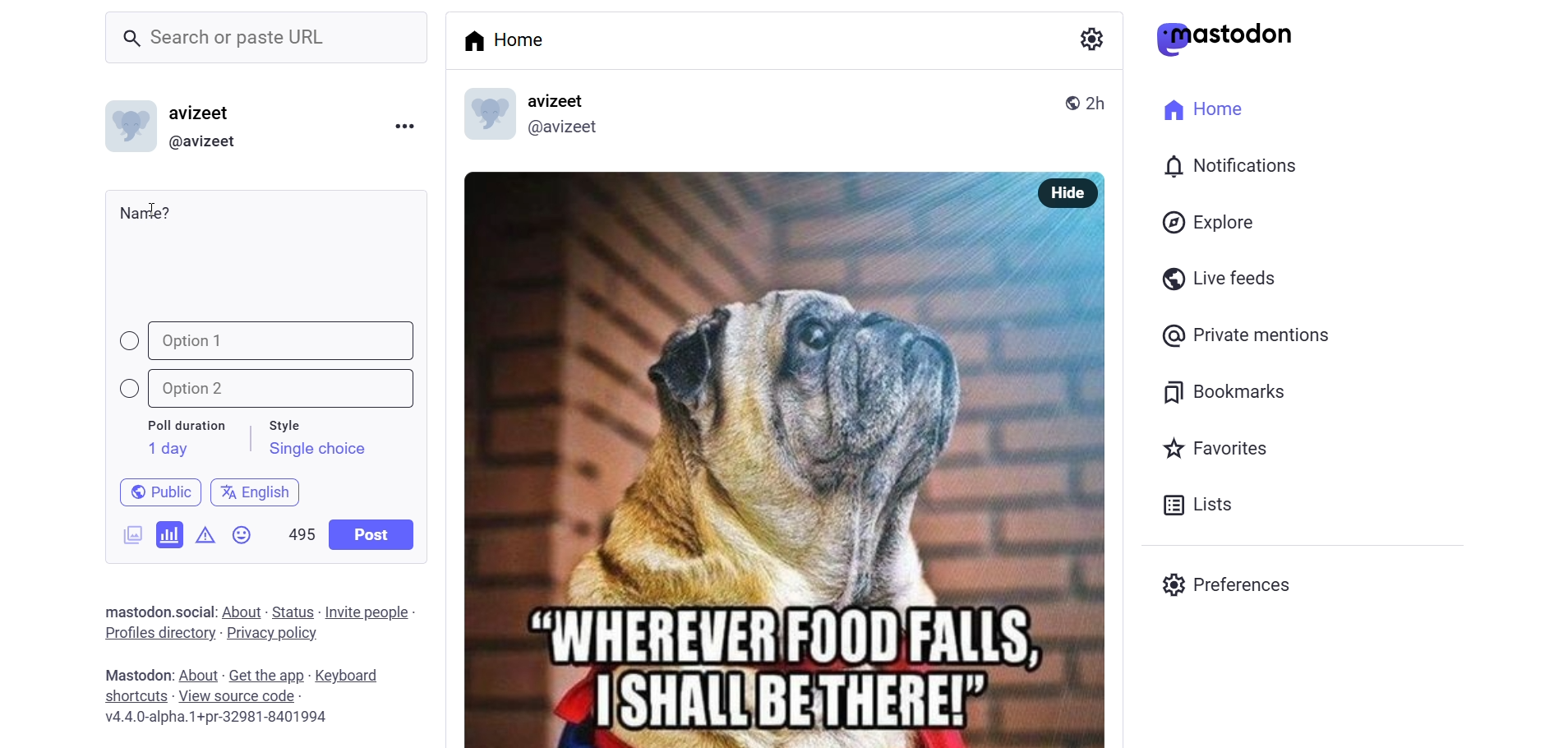 The width and height of the screenshot is (1568, 748). What do you see at coordinates (266, 38) in the screenshot?
I see `Search or paste URL` at bounding box center [266, 38].